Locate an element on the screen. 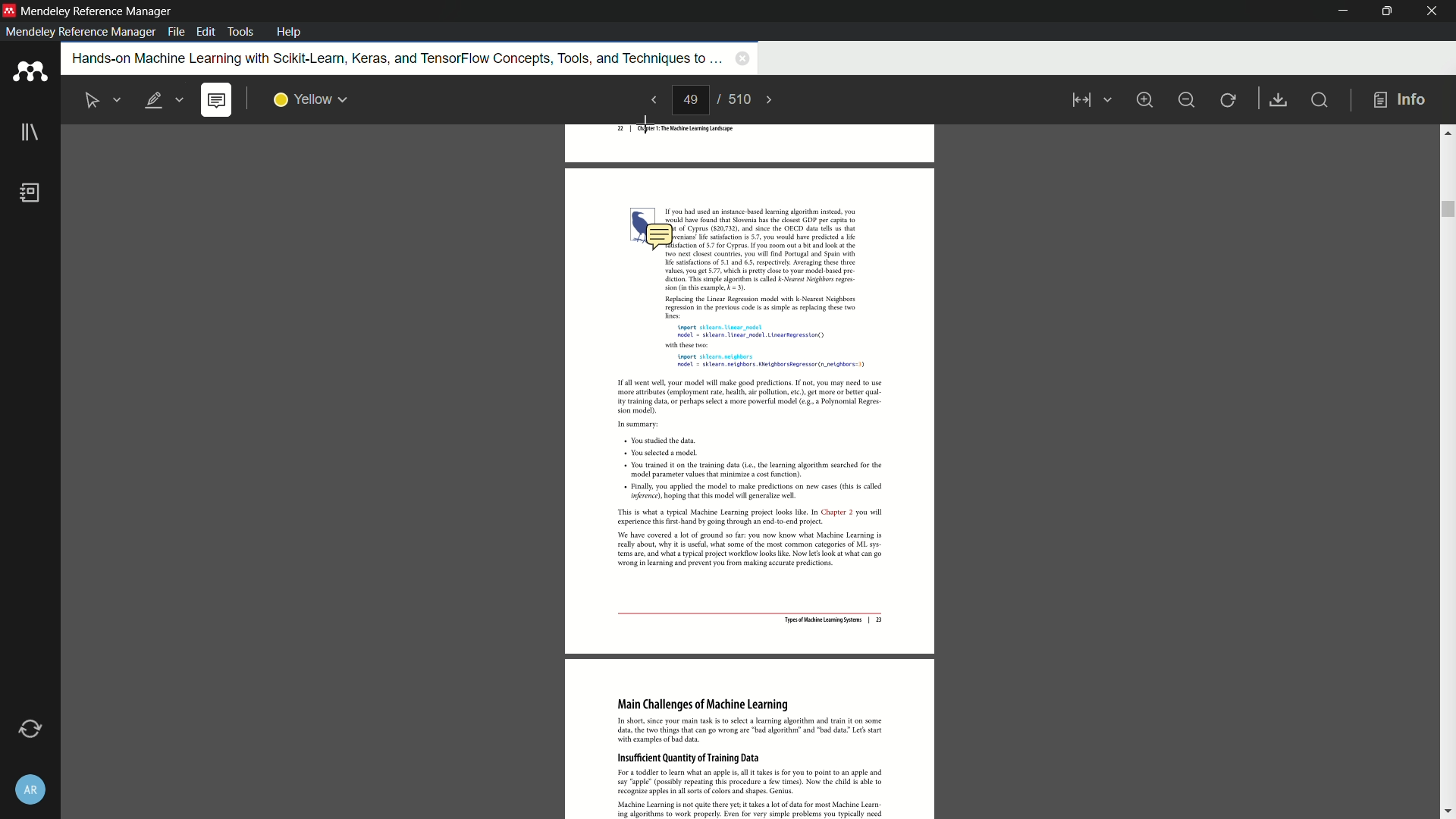 This screenshot has height=819, width=1456. app icon is located at coordinates (9, 11).